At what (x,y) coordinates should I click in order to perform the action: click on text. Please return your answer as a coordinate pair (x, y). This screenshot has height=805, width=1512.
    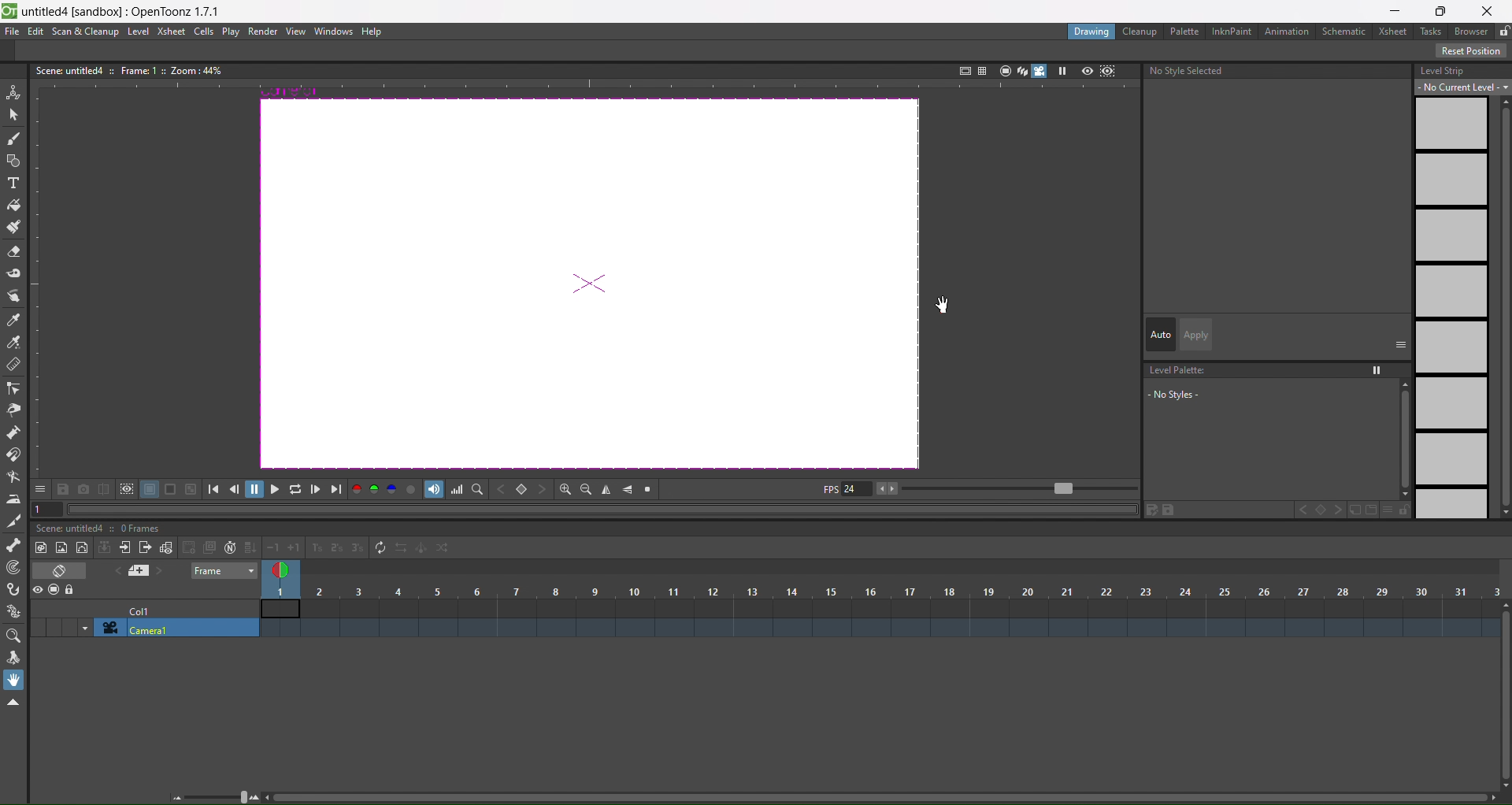
    Looking at the image, I should click on (128, 69).